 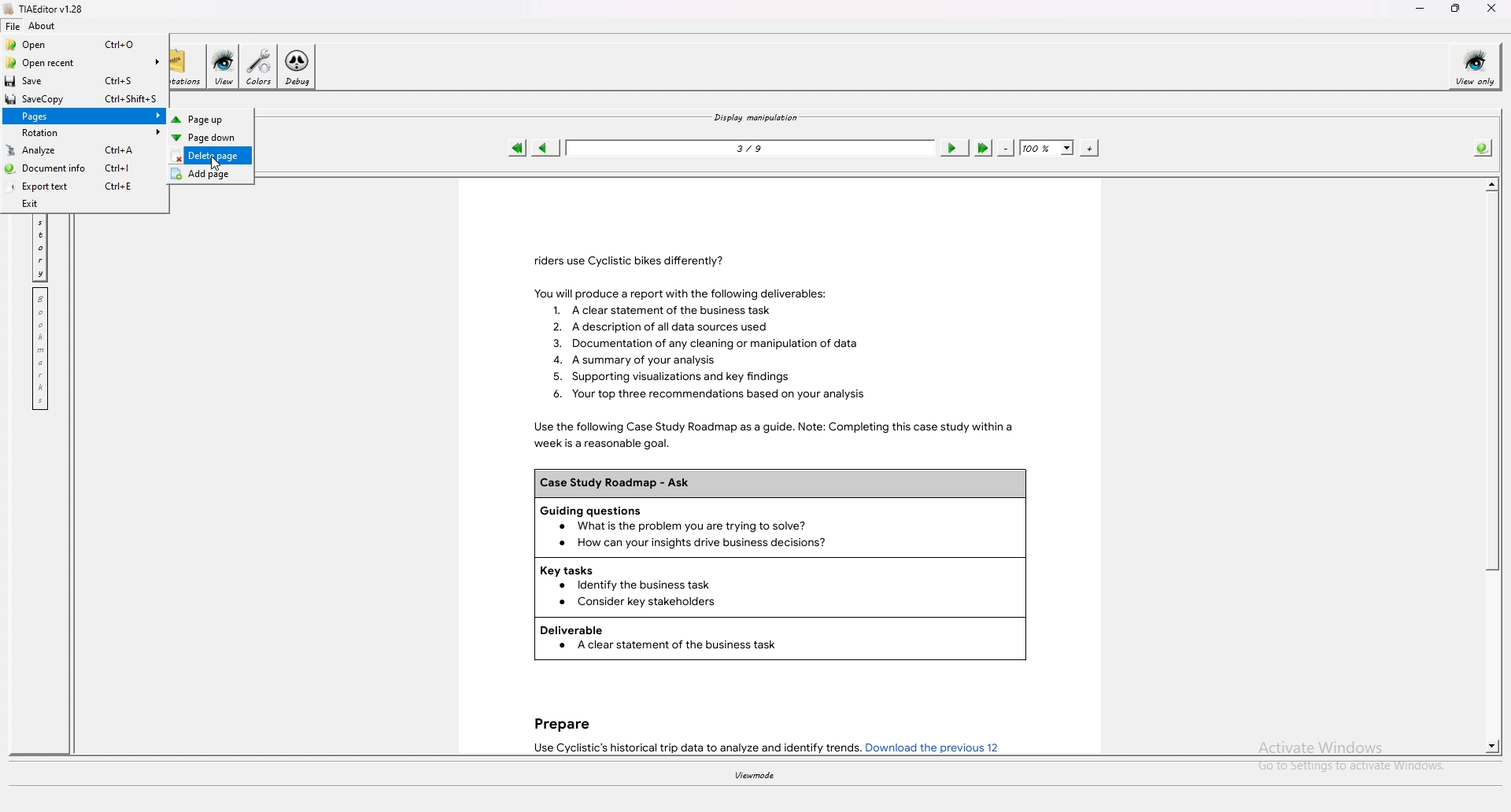 I want to click on display manipulation, so click(x=755, y=116).